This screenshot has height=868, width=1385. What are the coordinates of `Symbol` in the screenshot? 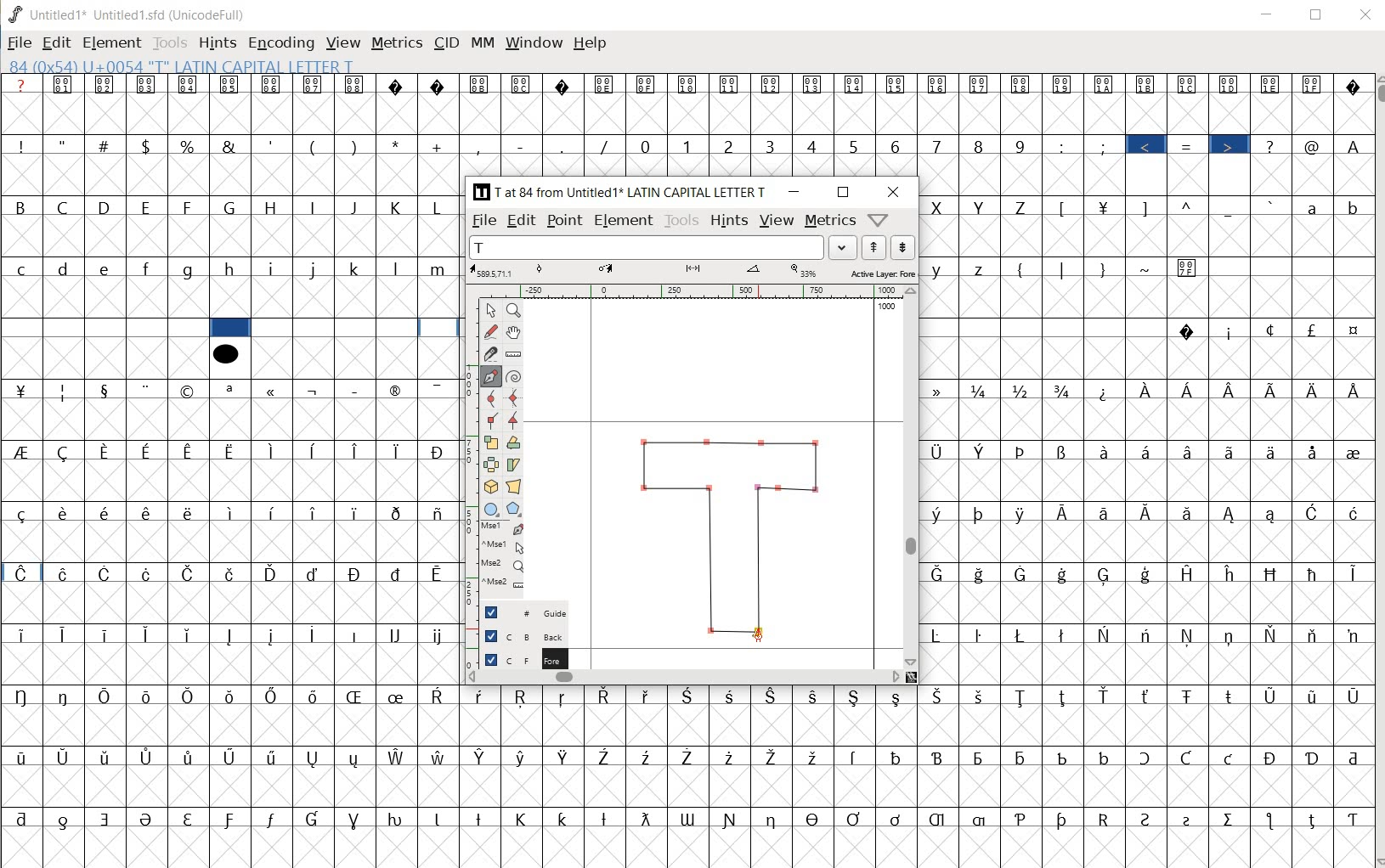 It's located at (107, 86).